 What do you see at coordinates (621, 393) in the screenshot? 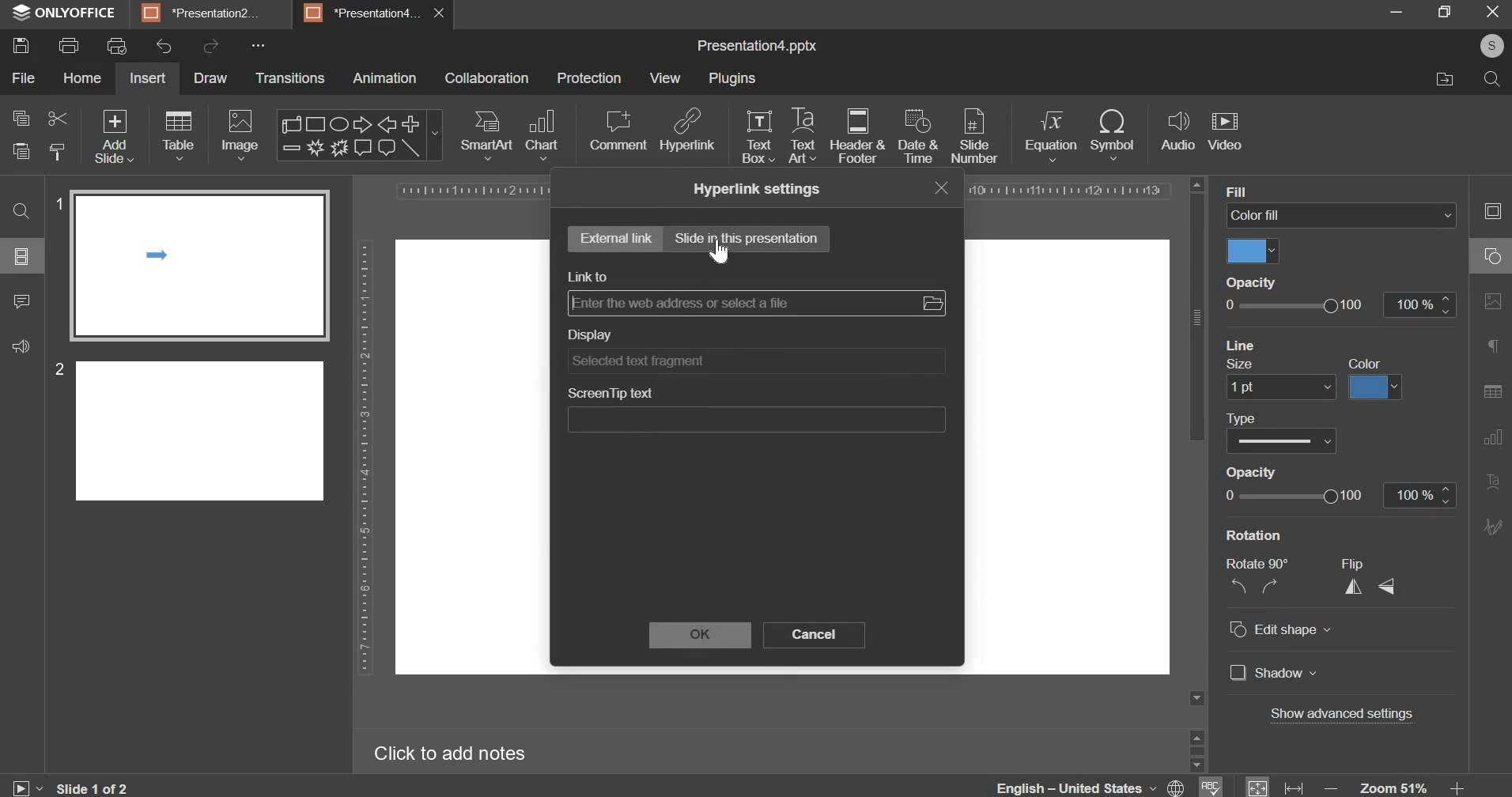
I see `ScreenTip text` at bounding box center [621, 393].